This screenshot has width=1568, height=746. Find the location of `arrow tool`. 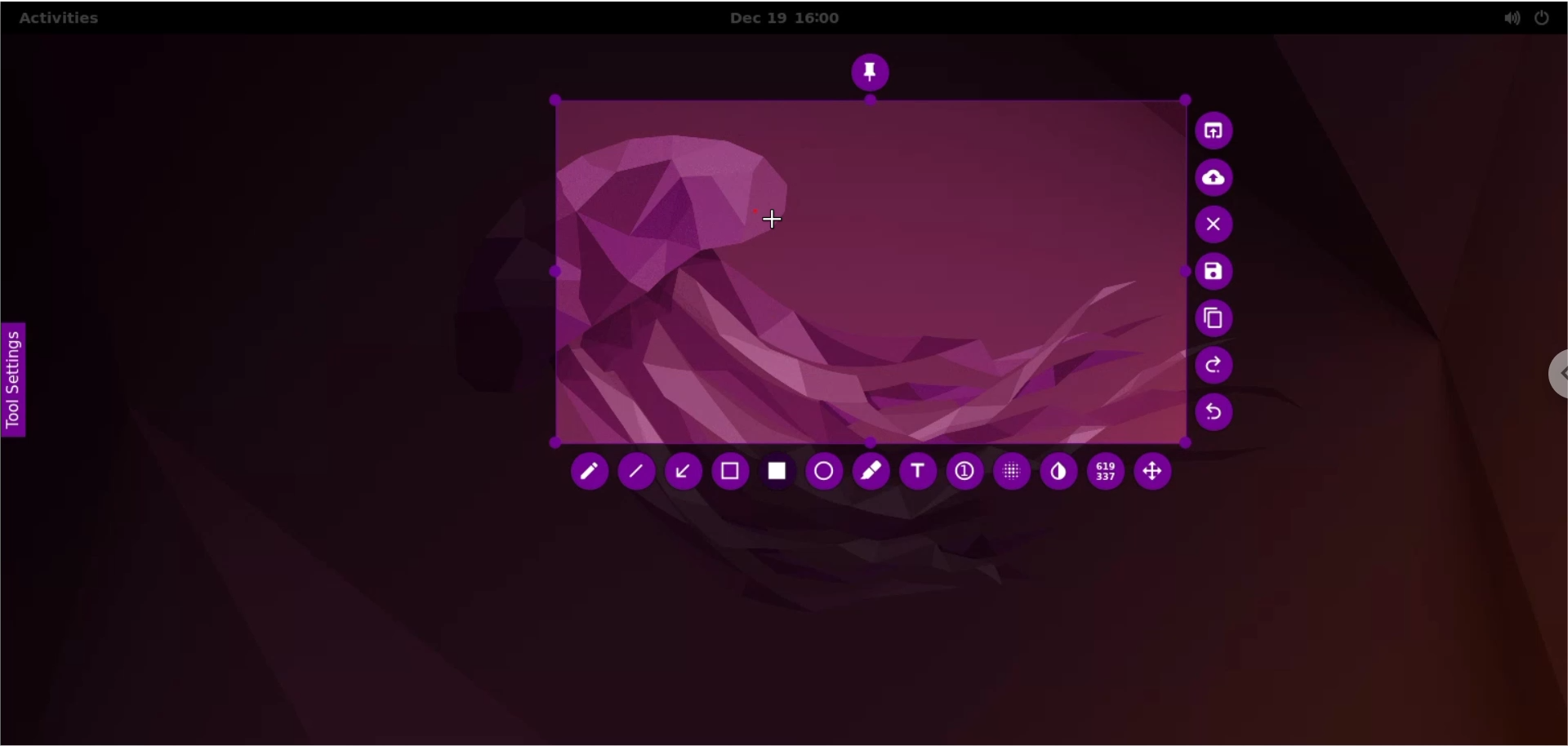

arrow tool is located at coordinates (684, 473).